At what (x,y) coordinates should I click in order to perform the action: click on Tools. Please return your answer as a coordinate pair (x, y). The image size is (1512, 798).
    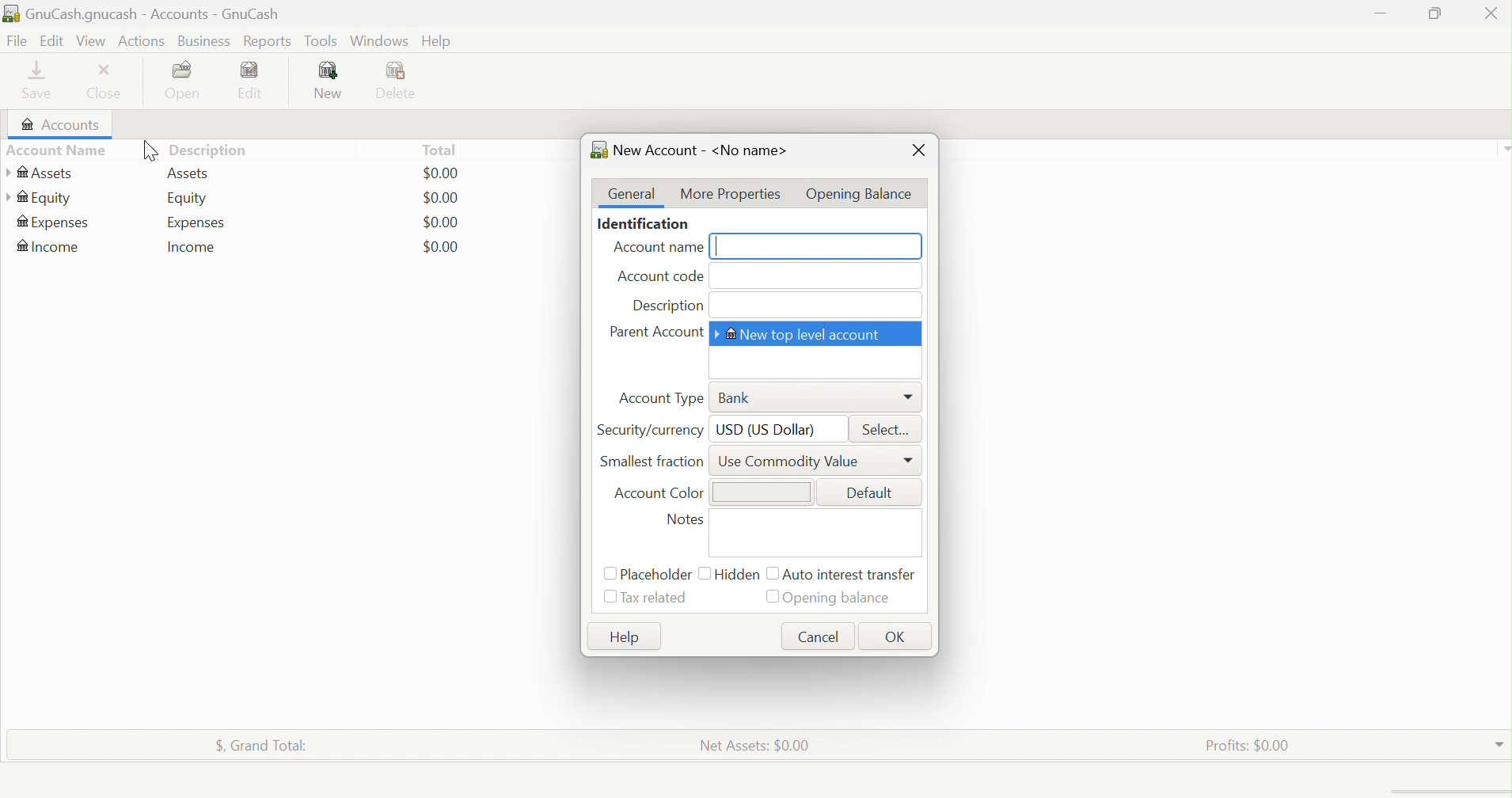
    Looking at the image, I should click on (322, 41).